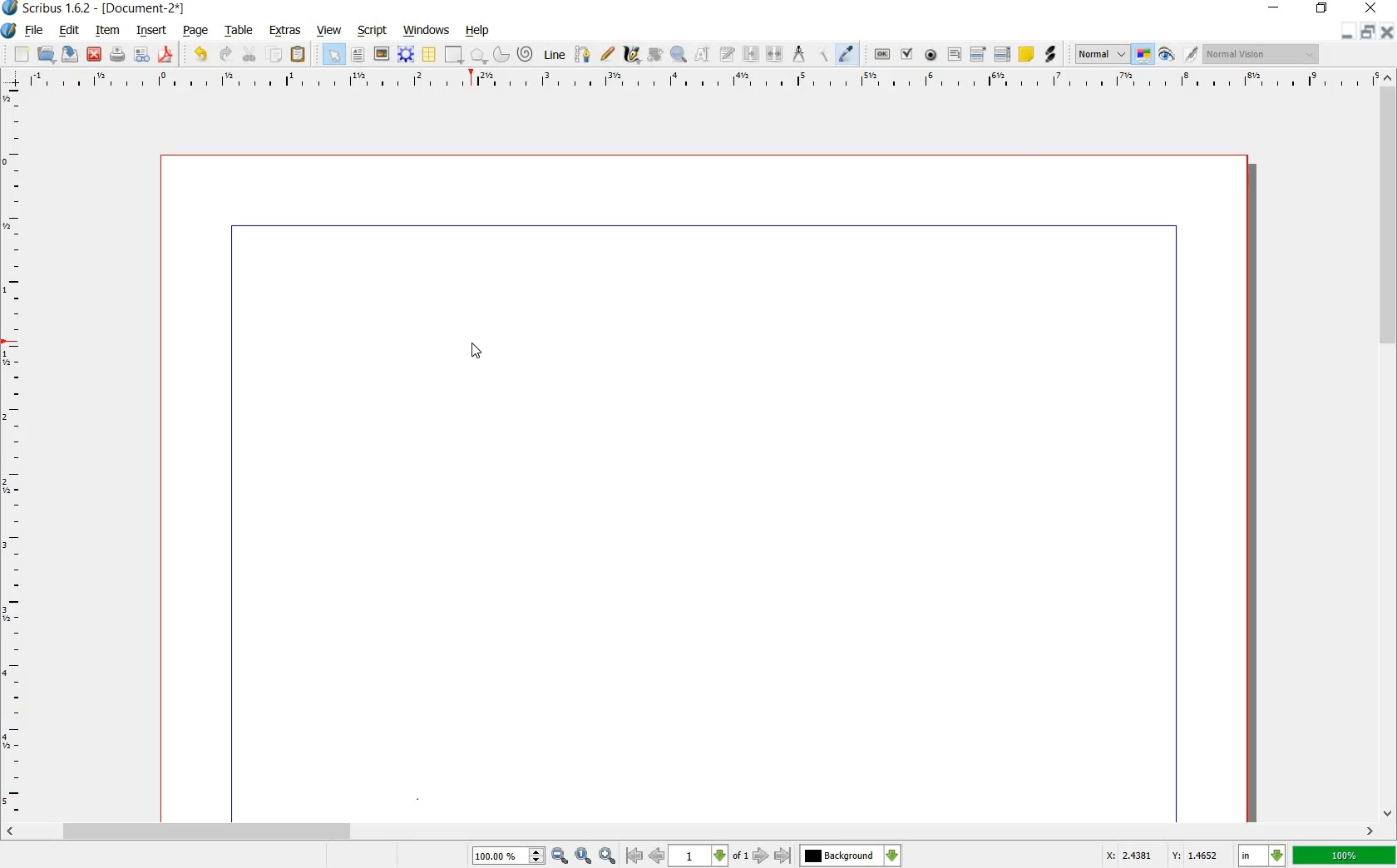  Describe the element at coordinates (763, 856) in the screenshot. I see `go to next page` at that location.